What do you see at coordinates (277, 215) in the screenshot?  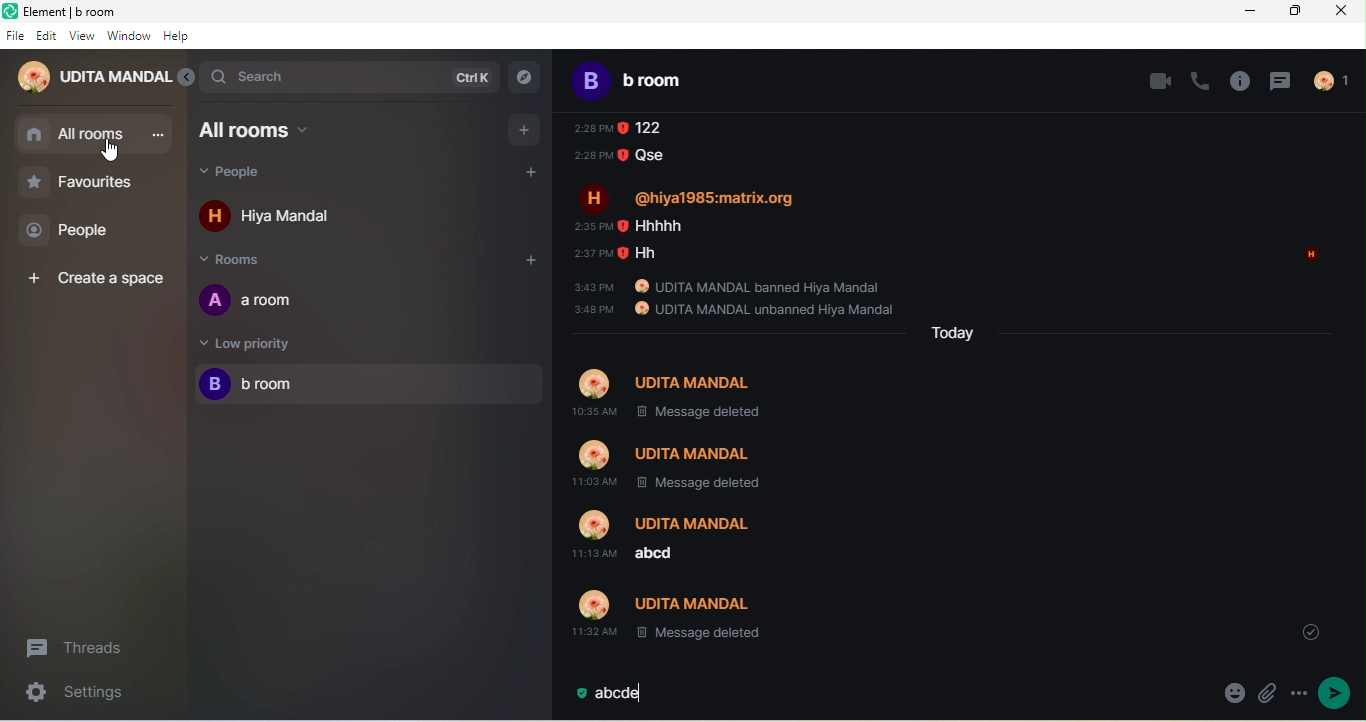 I see `hiya mandal` at bounding box center [277, 215].